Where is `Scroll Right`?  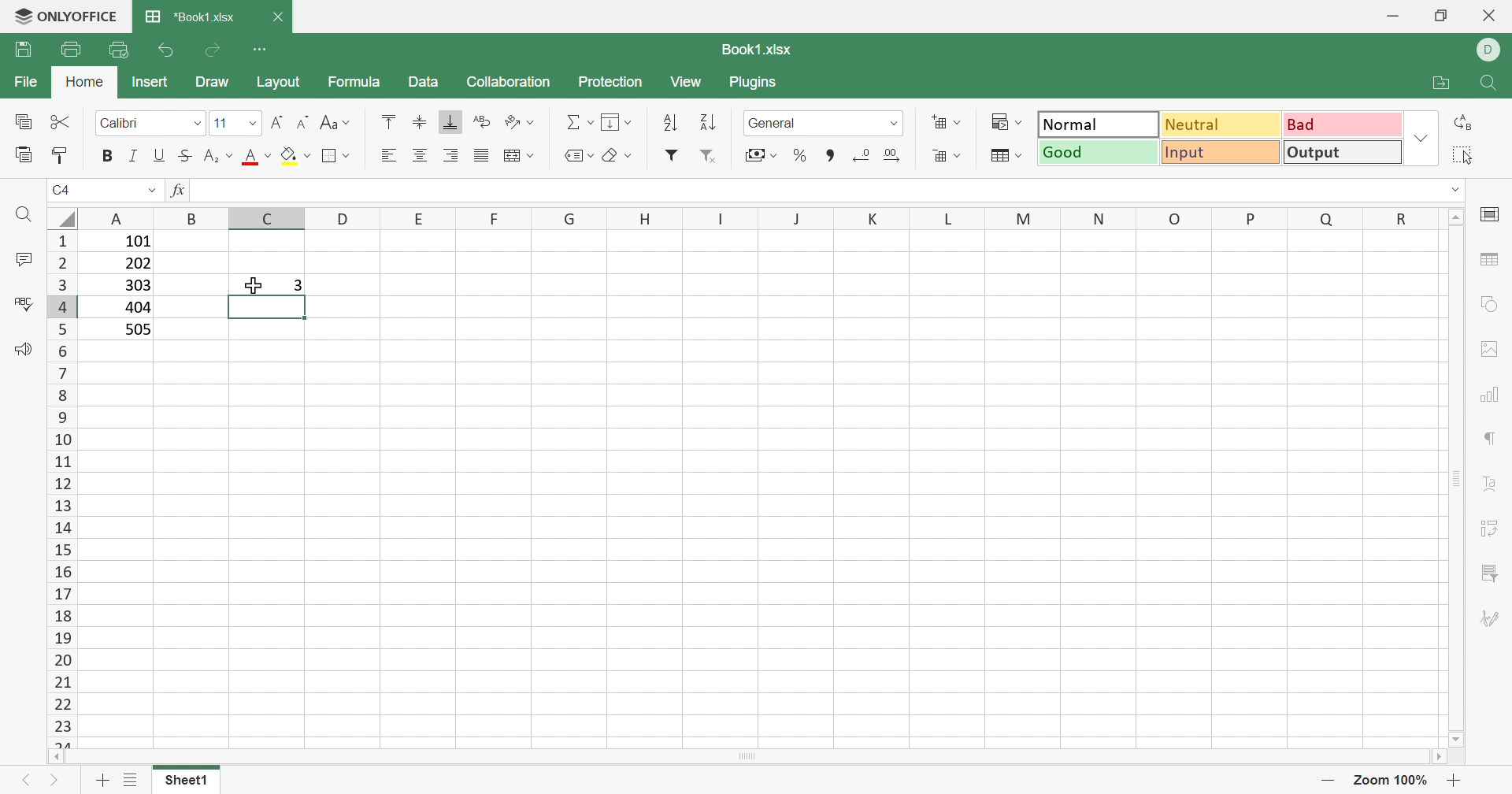 Scroll Right is located at coordinates (1449, 760).